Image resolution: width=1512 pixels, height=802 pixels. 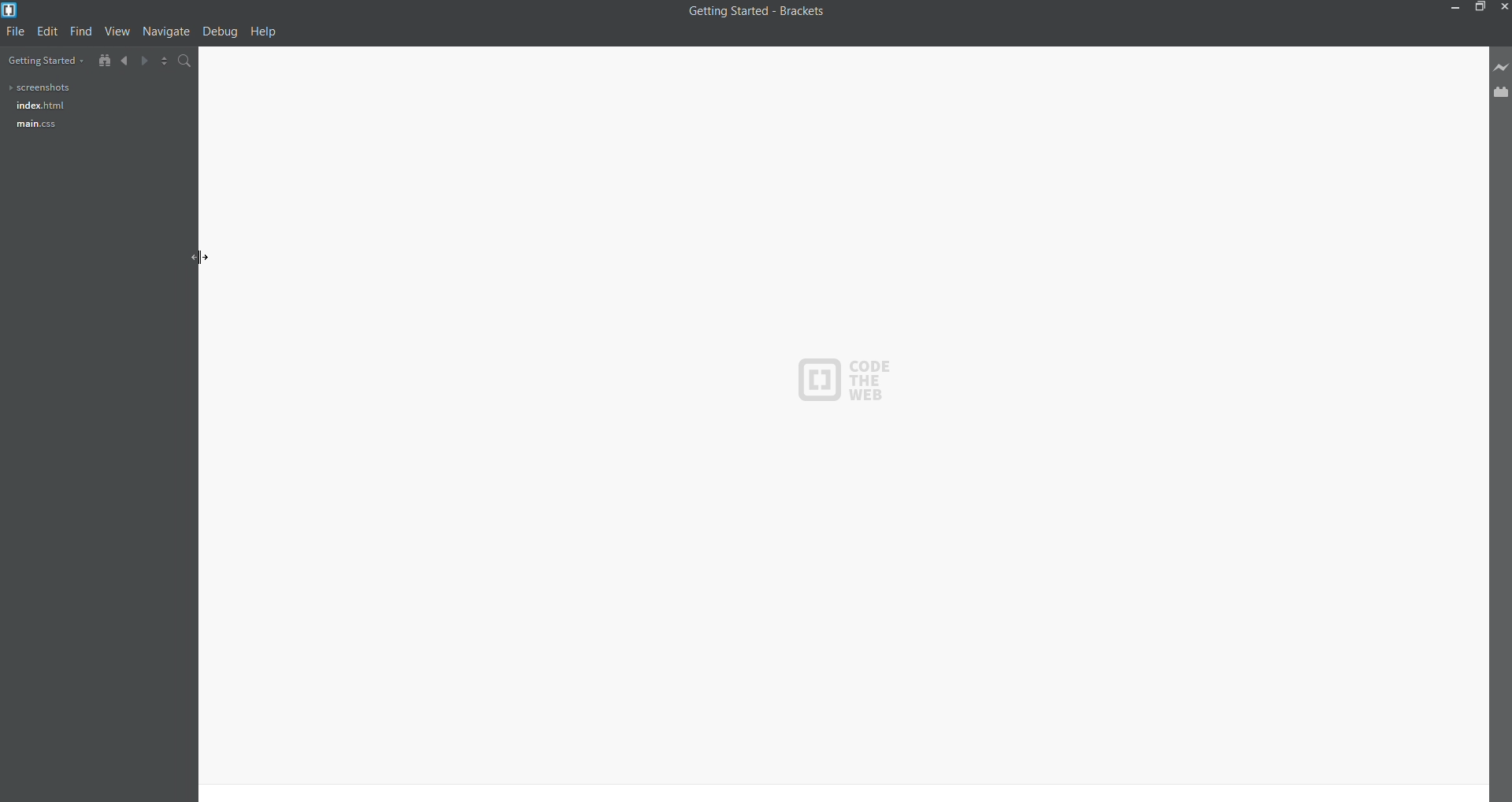 I want to click on getting started, so click(x=43, y=59).